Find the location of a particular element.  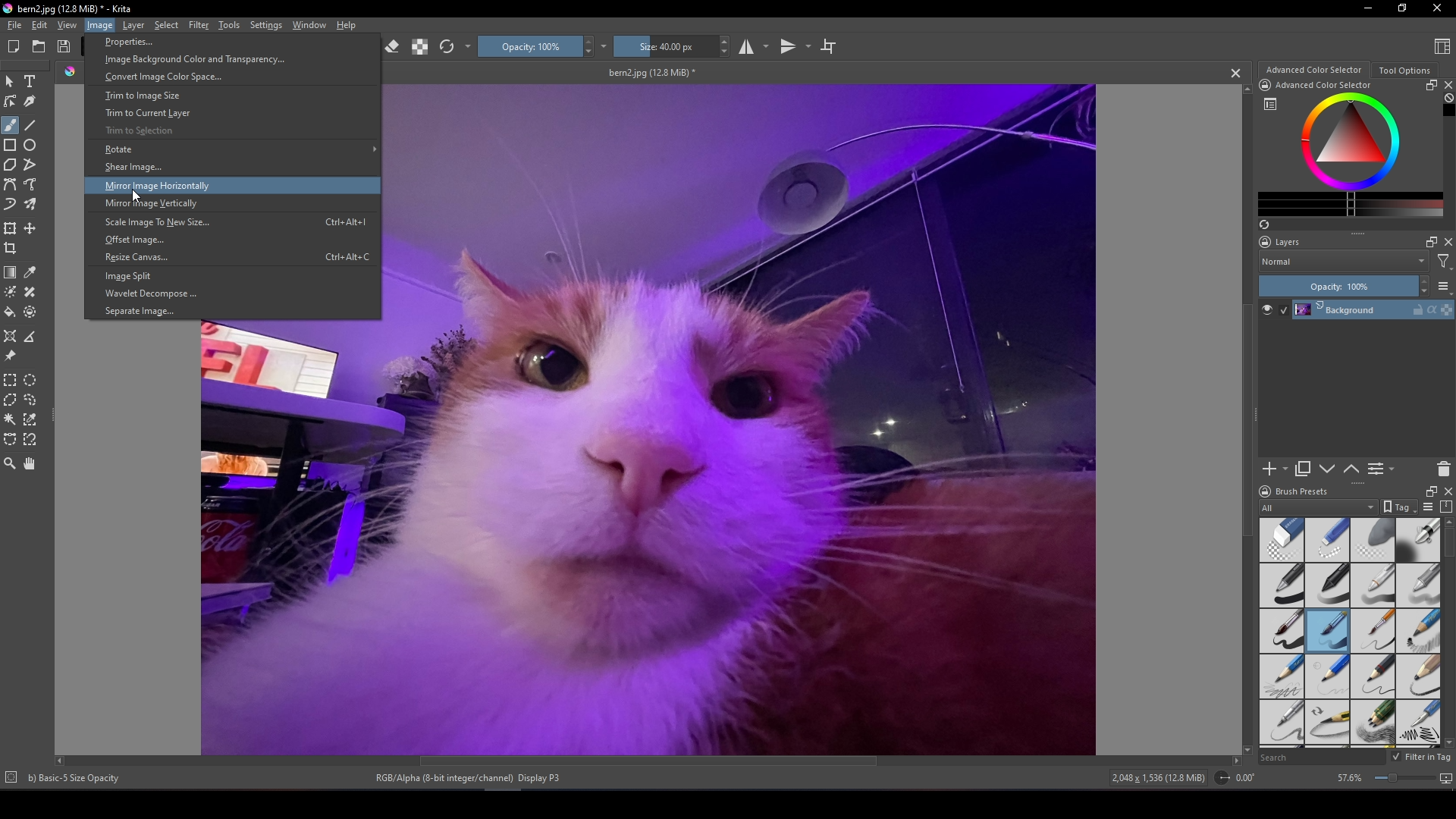

Trim selection is located at coordinates (234, 129).